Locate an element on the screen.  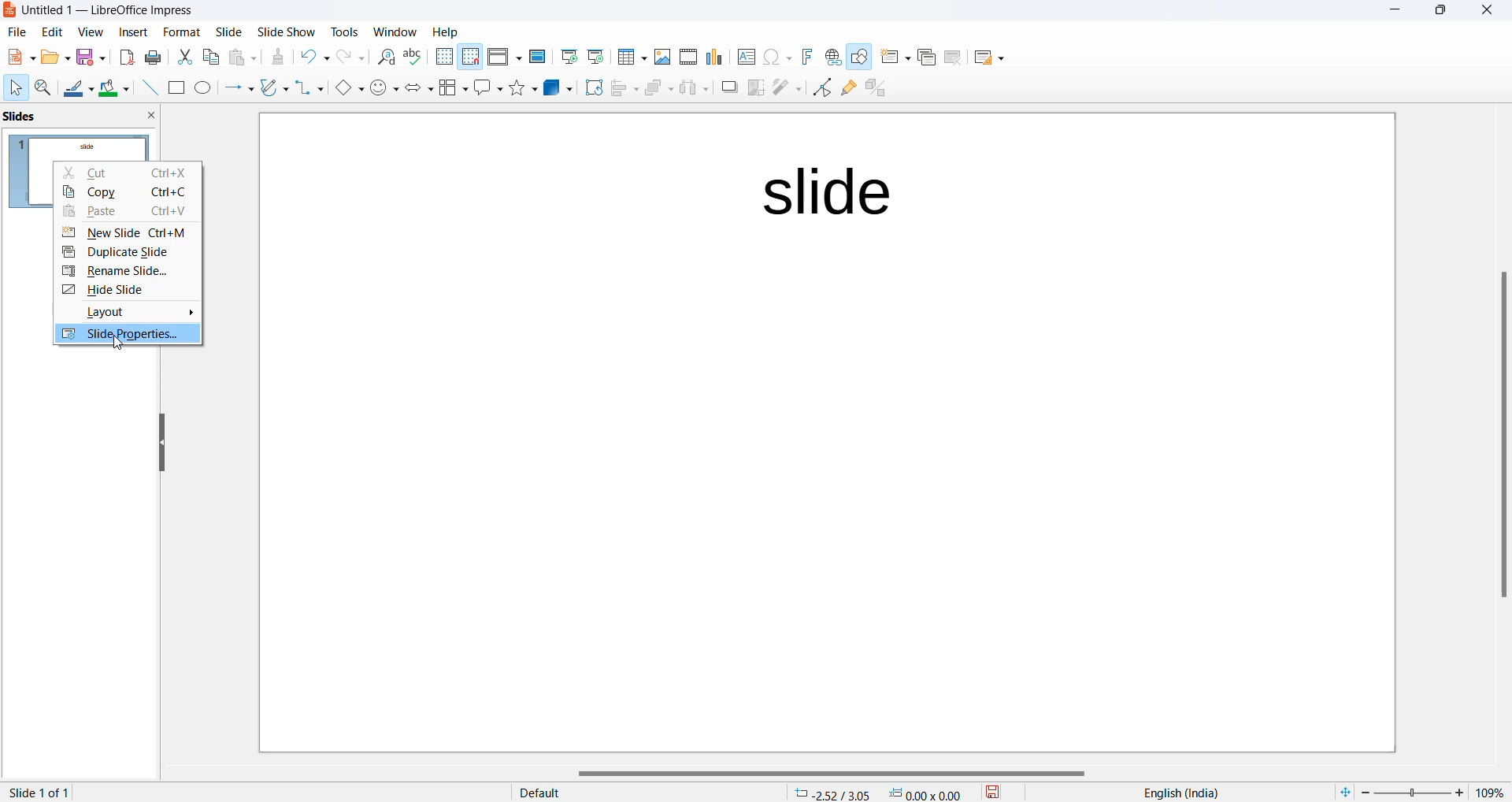
cut is located at coordinates (186, 56).